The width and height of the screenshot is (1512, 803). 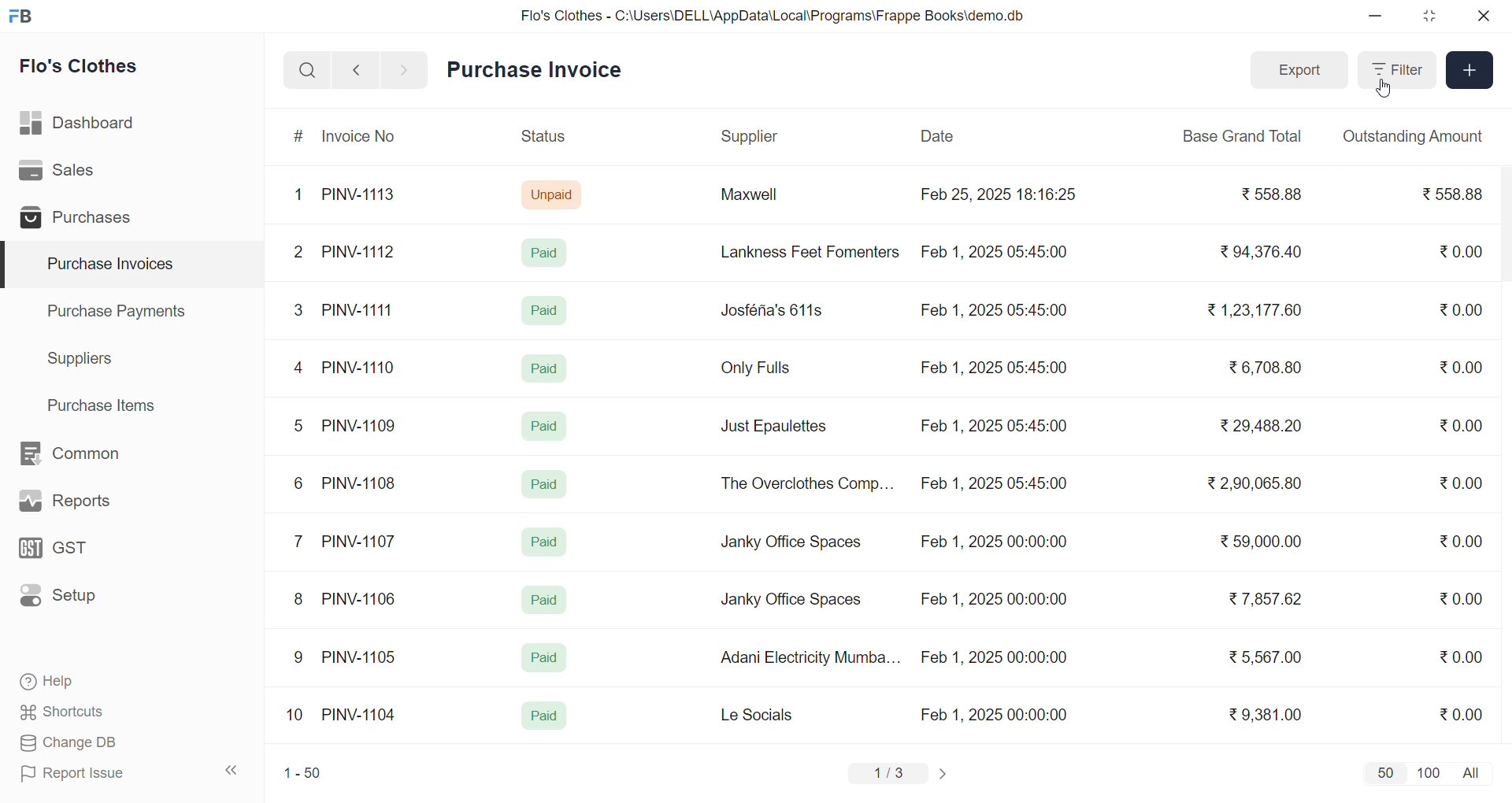 What do you see at coordinates (1412, 136) in the screenshot?
I see `Outstanding Amount` at bounding box center [1412, 136].